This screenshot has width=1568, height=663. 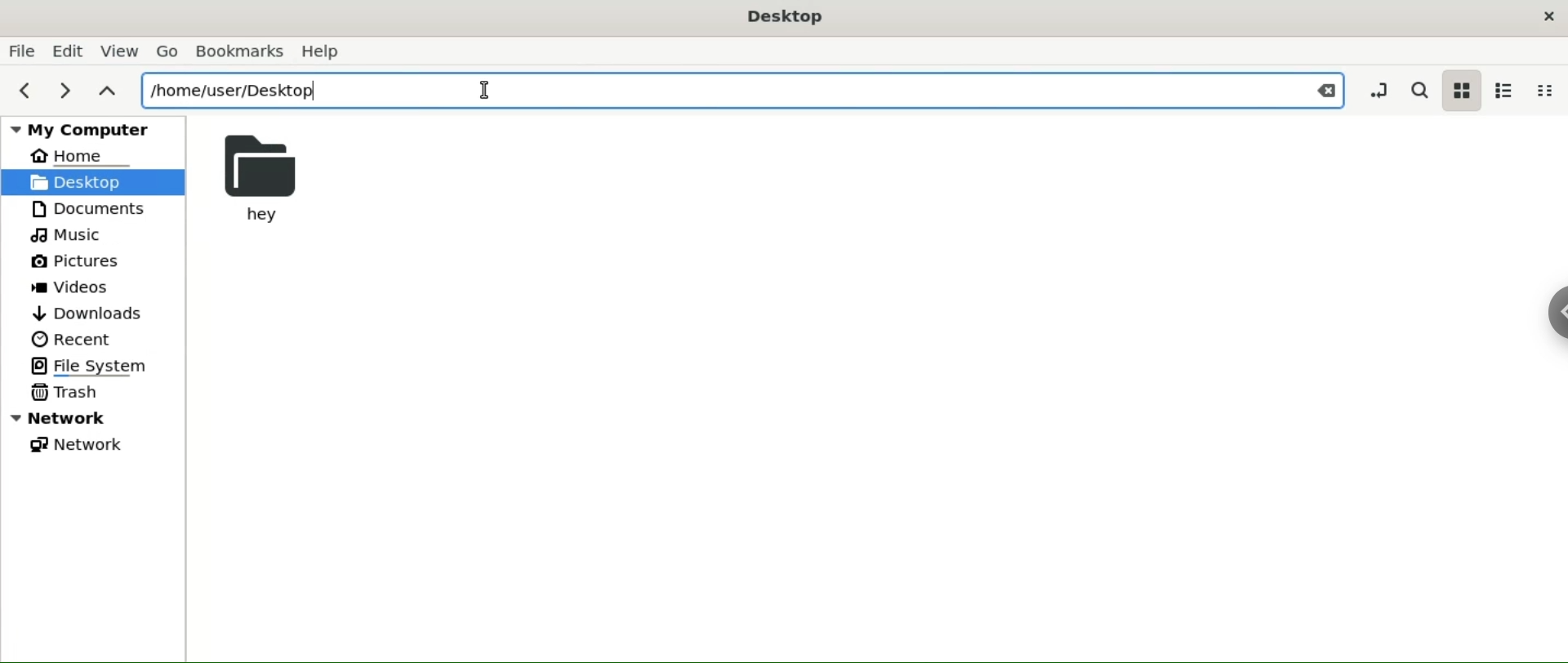 What do you see at coordinates (73, 287) in the screenshot?
I see `videos` at bounding box center [73, 287].